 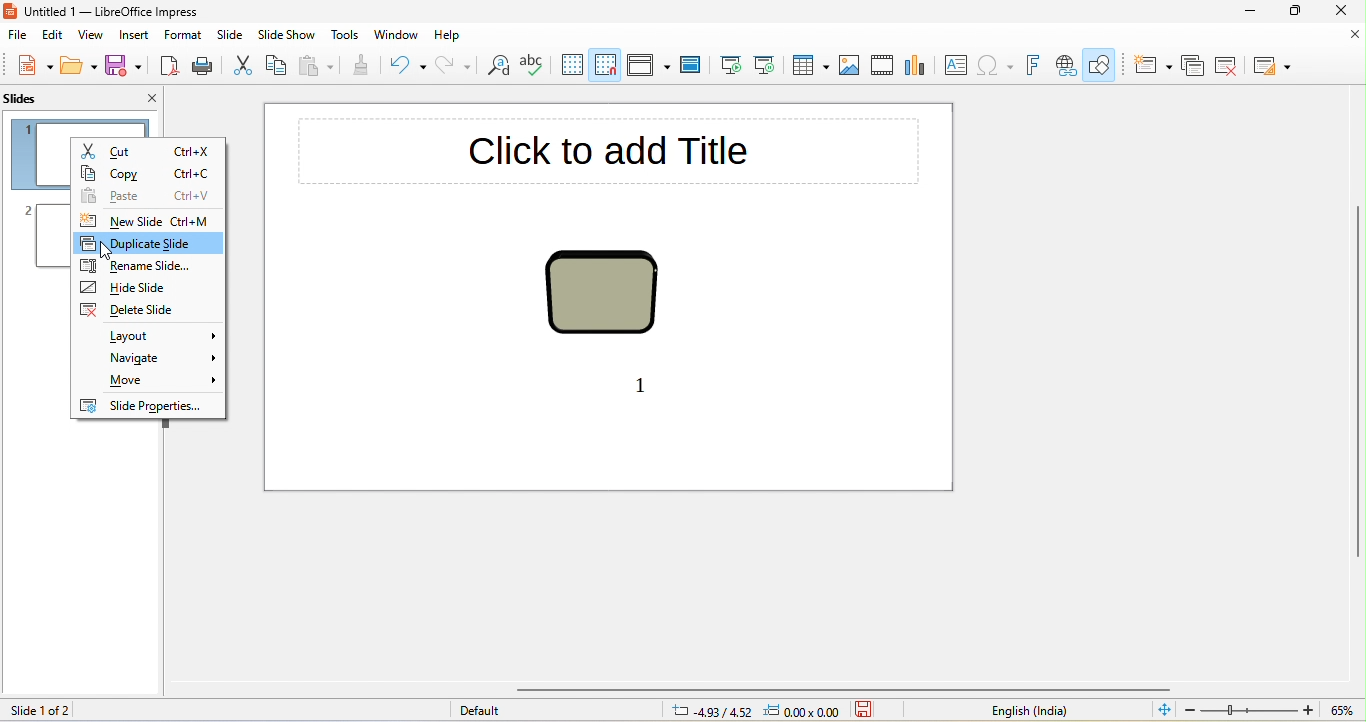 I want to click on save, so click(x=123, y=66).